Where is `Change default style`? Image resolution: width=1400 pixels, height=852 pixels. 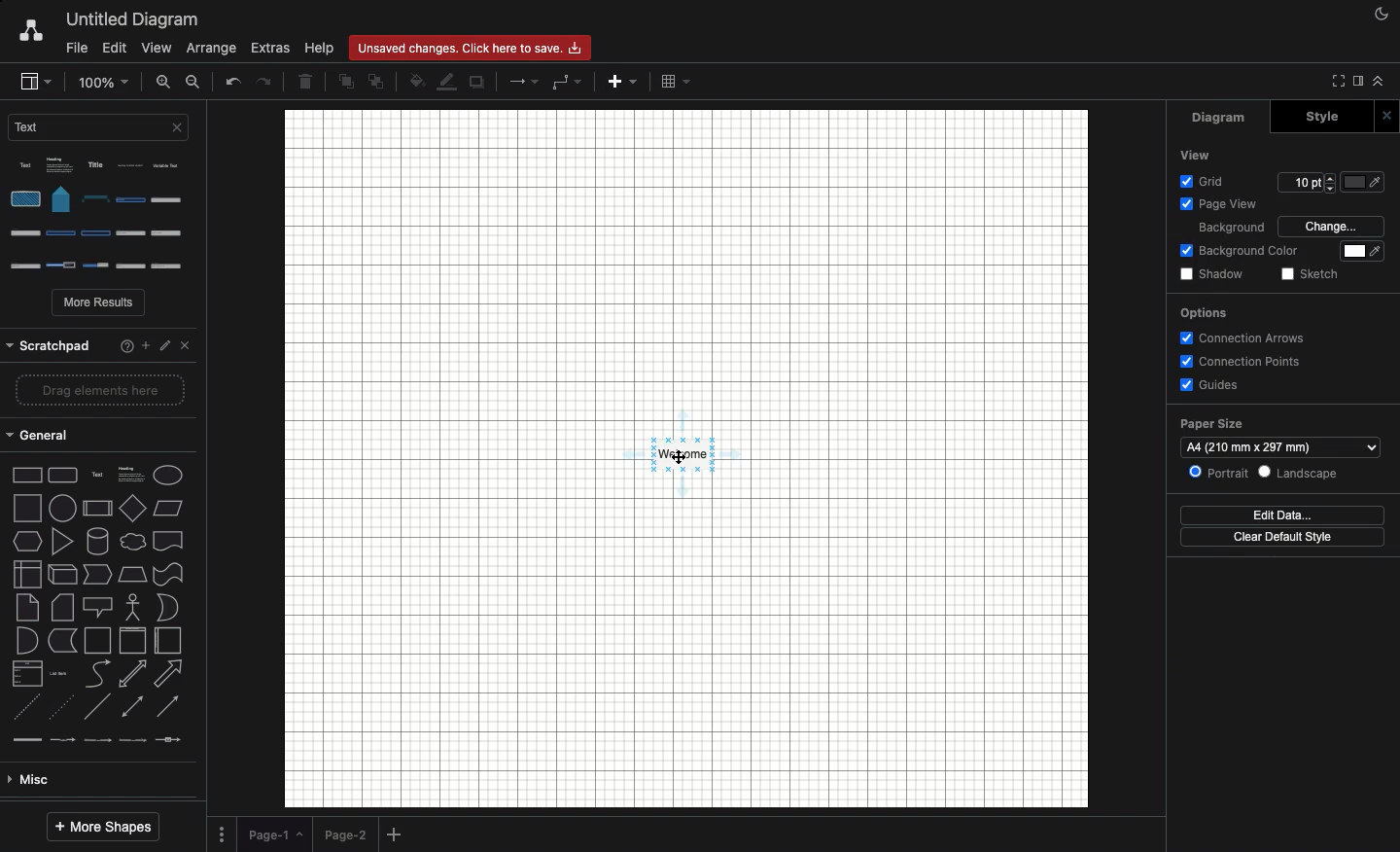
Change default style is located at coordinates (1288, 539).